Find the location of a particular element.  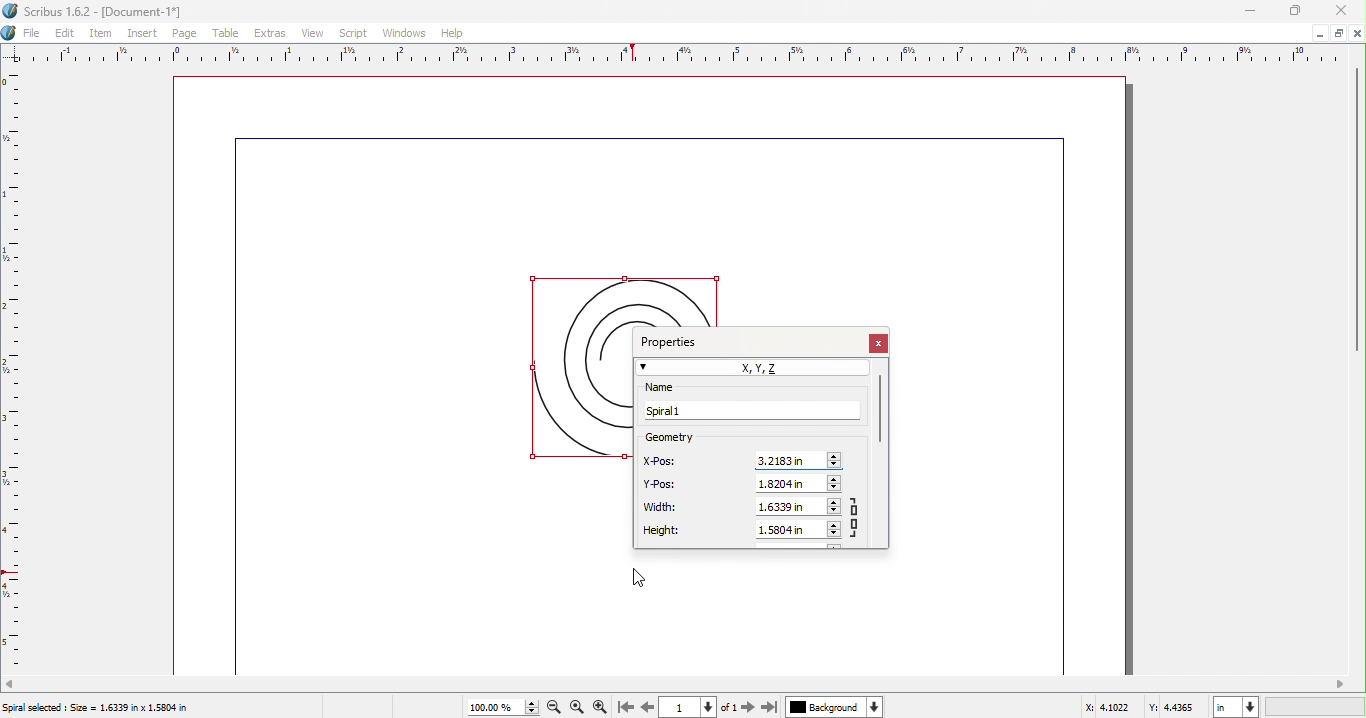

total page is located at coordinates (729, 707).